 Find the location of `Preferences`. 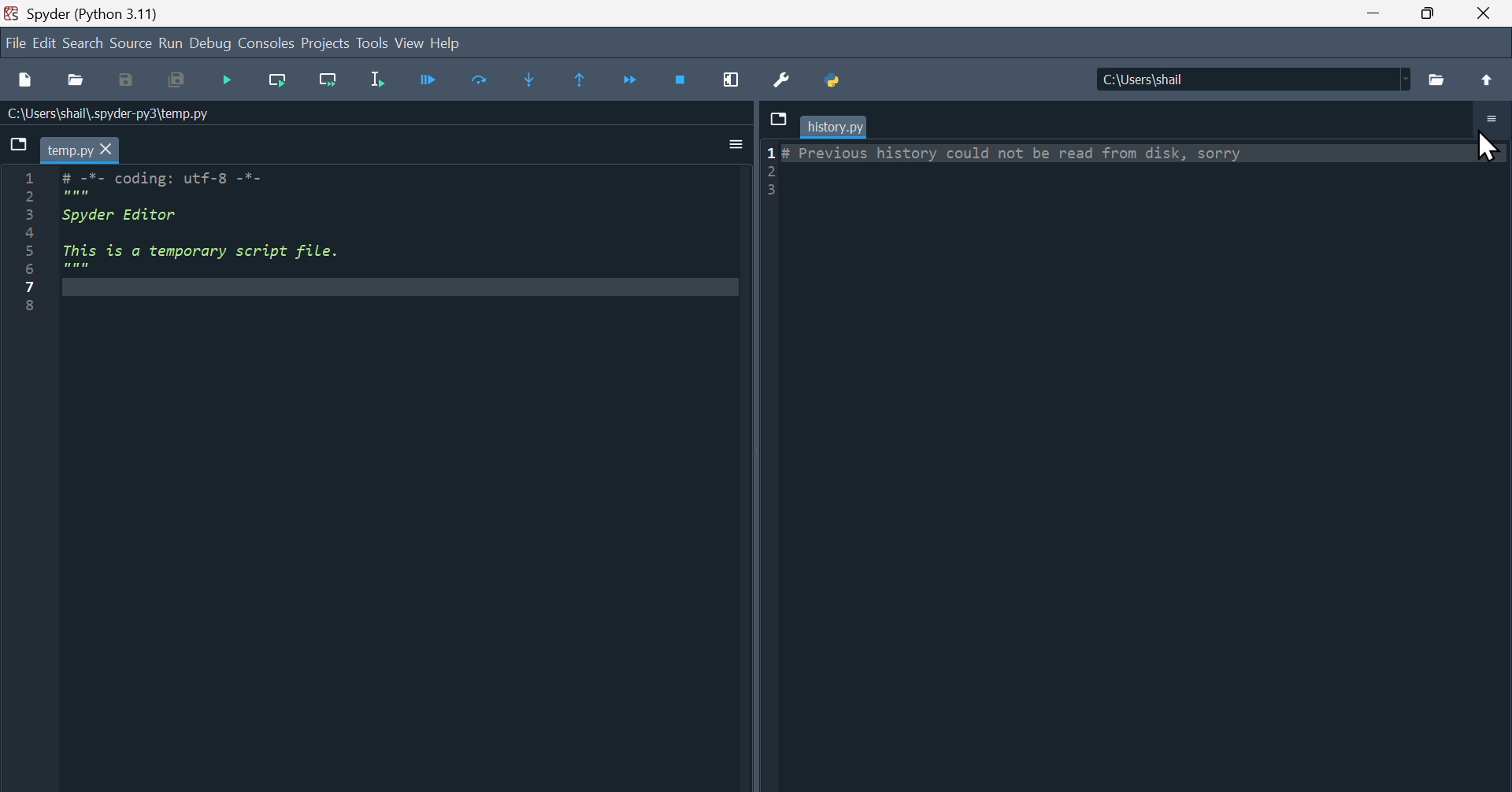

Preferences is located at coordinates (781, 82).